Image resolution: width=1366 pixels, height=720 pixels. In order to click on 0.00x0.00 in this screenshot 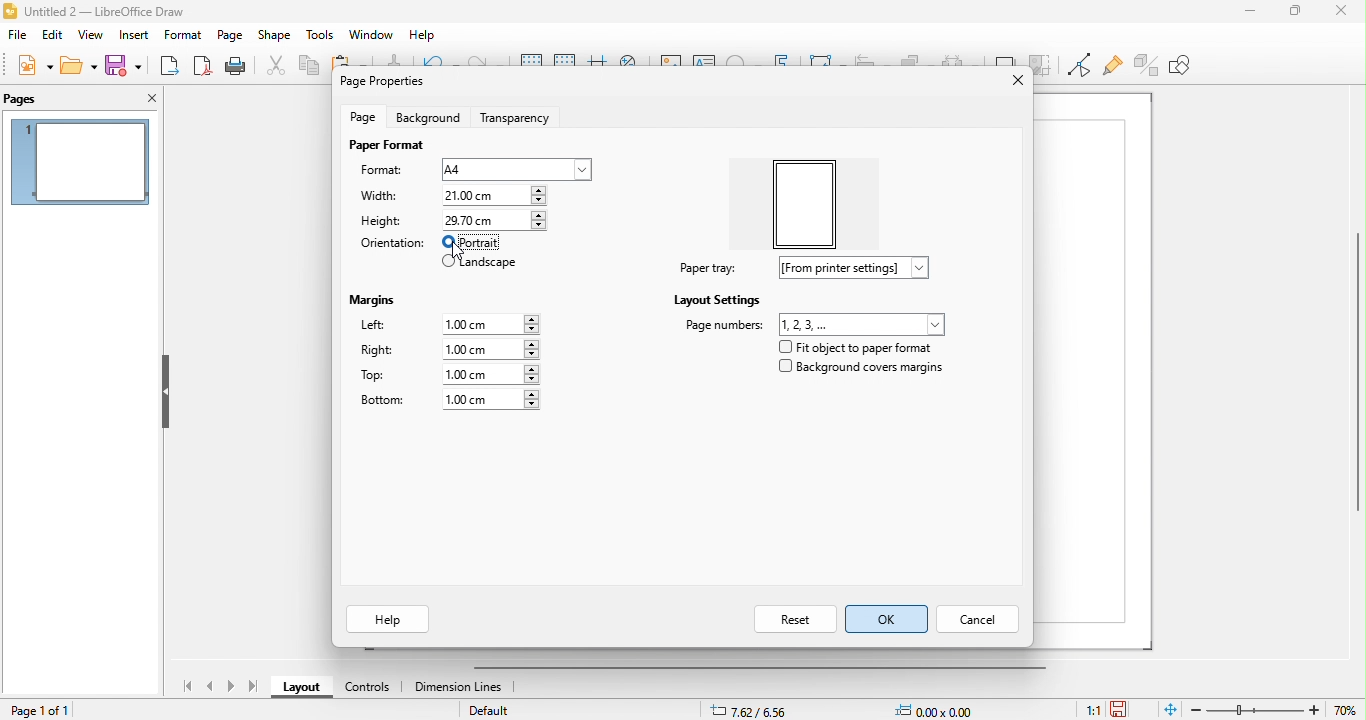, I will do `click(940, 708)`.